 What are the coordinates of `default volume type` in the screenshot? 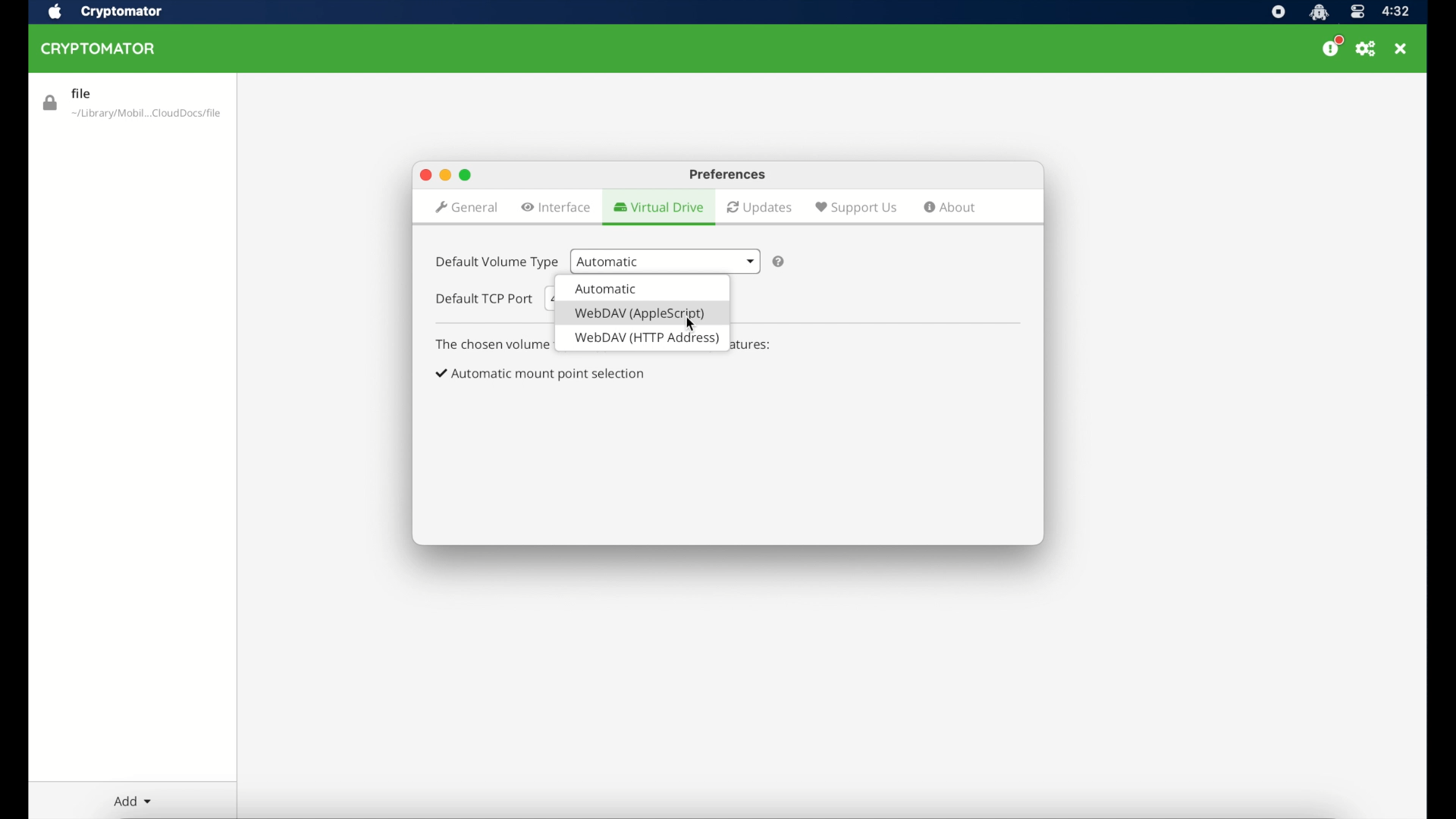 It's located at (495, 262).